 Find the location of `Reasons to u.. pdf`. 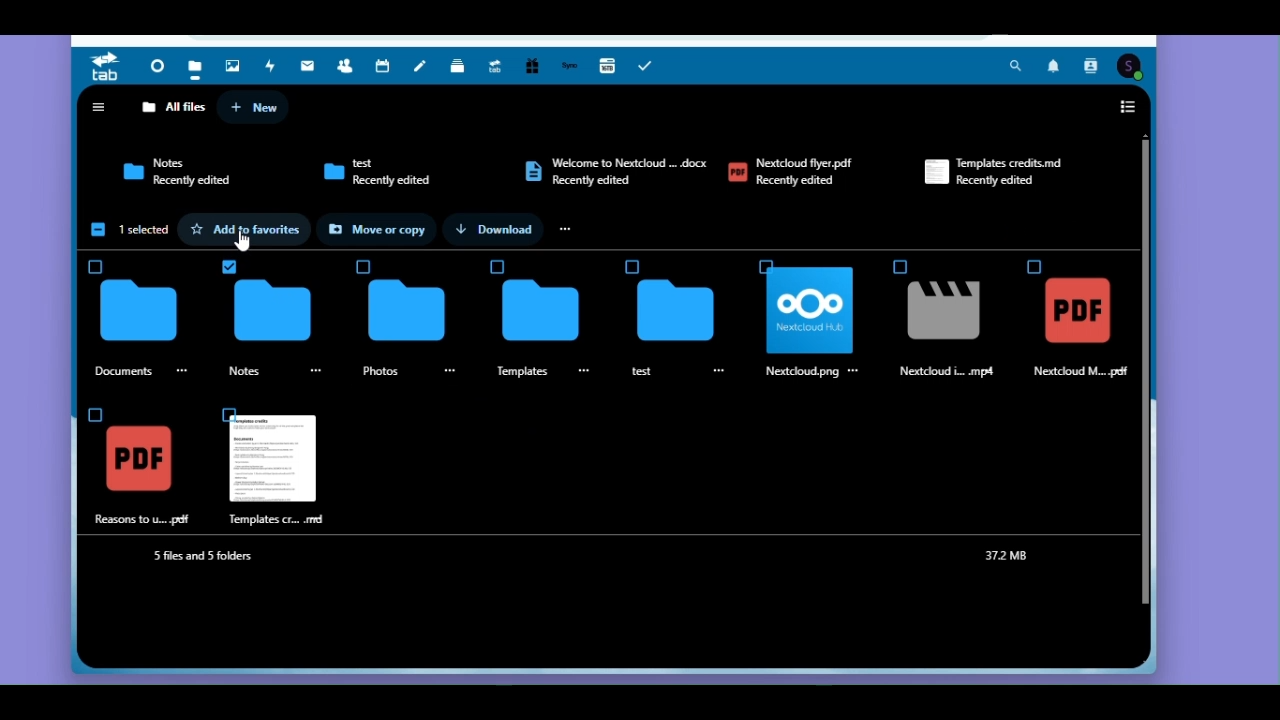

Reasons to u.. pdf is located at coordinates (145, 519).